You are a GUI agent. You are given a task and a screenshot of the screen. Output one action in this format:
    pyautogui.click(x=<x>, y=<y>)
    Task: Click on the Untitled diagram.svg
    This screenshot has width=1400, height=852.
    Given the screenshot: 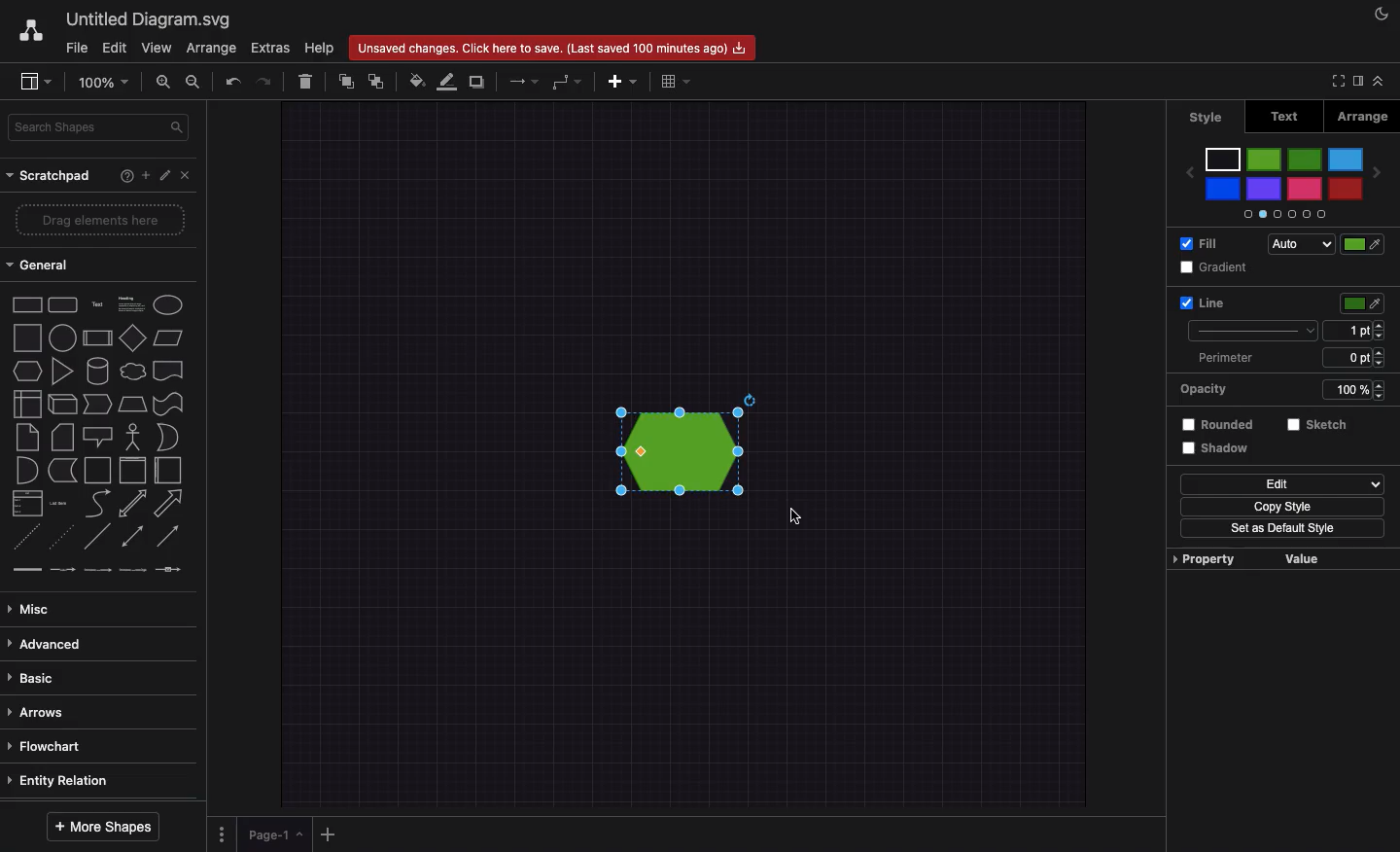 What is the action you would take?
    pyautogui.click(x=149, y=18)
    